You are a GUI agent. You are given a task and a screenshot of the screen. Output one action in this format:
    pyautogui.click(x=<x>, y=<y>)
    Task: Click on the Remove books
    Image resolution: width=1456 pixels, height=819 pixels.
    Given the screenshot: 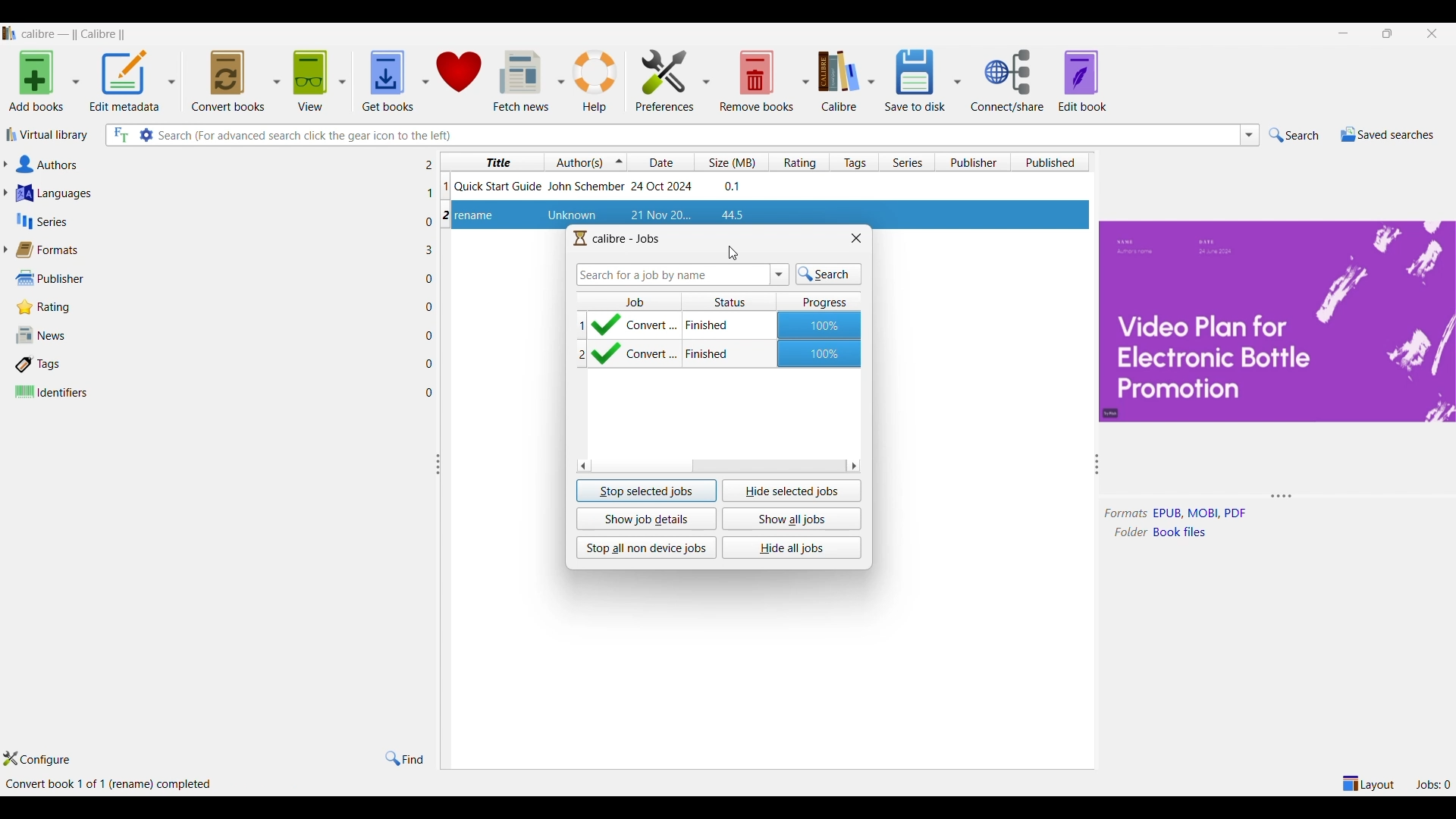 What is the action you would take?
    pyautogui.click(x=757, y=81)
    